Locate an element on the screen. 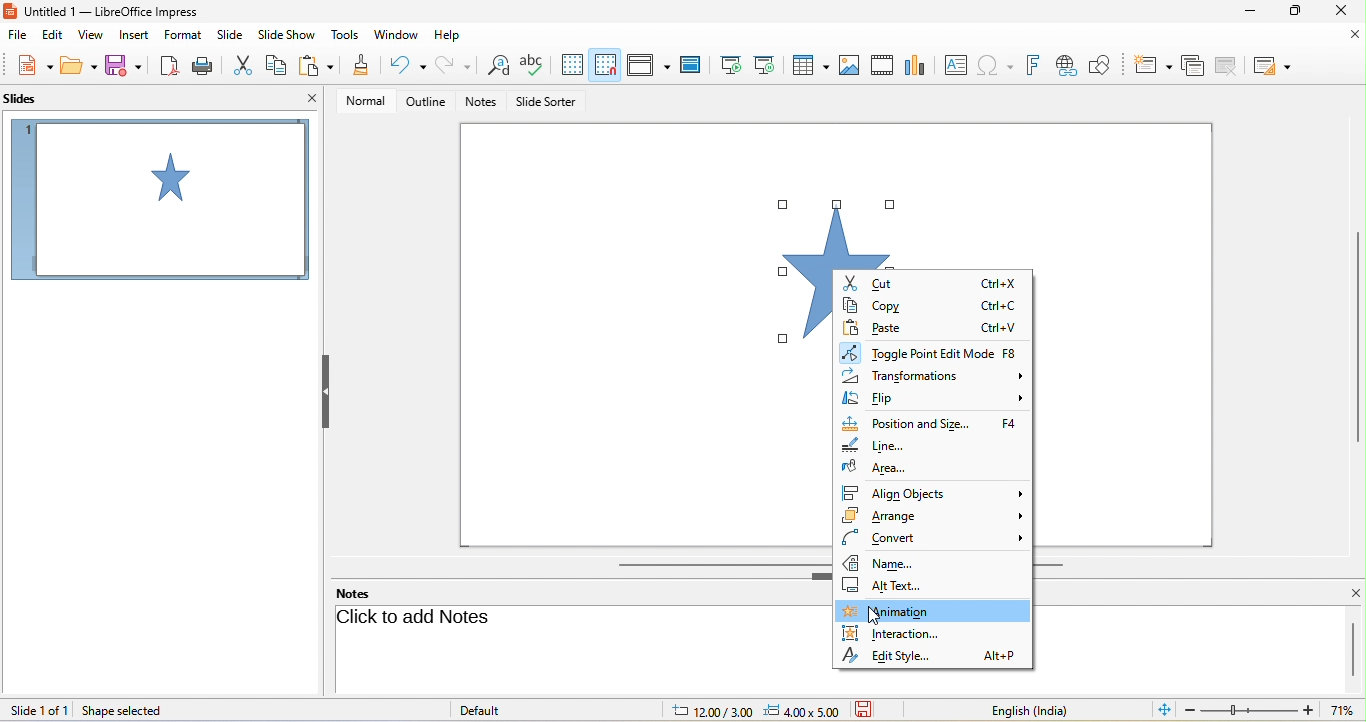 Image resolution: width=1366 pixels, height=722 pixels. current window title: Untitled 1 — LibreOffice Impress is located at coordinates (102, 11).